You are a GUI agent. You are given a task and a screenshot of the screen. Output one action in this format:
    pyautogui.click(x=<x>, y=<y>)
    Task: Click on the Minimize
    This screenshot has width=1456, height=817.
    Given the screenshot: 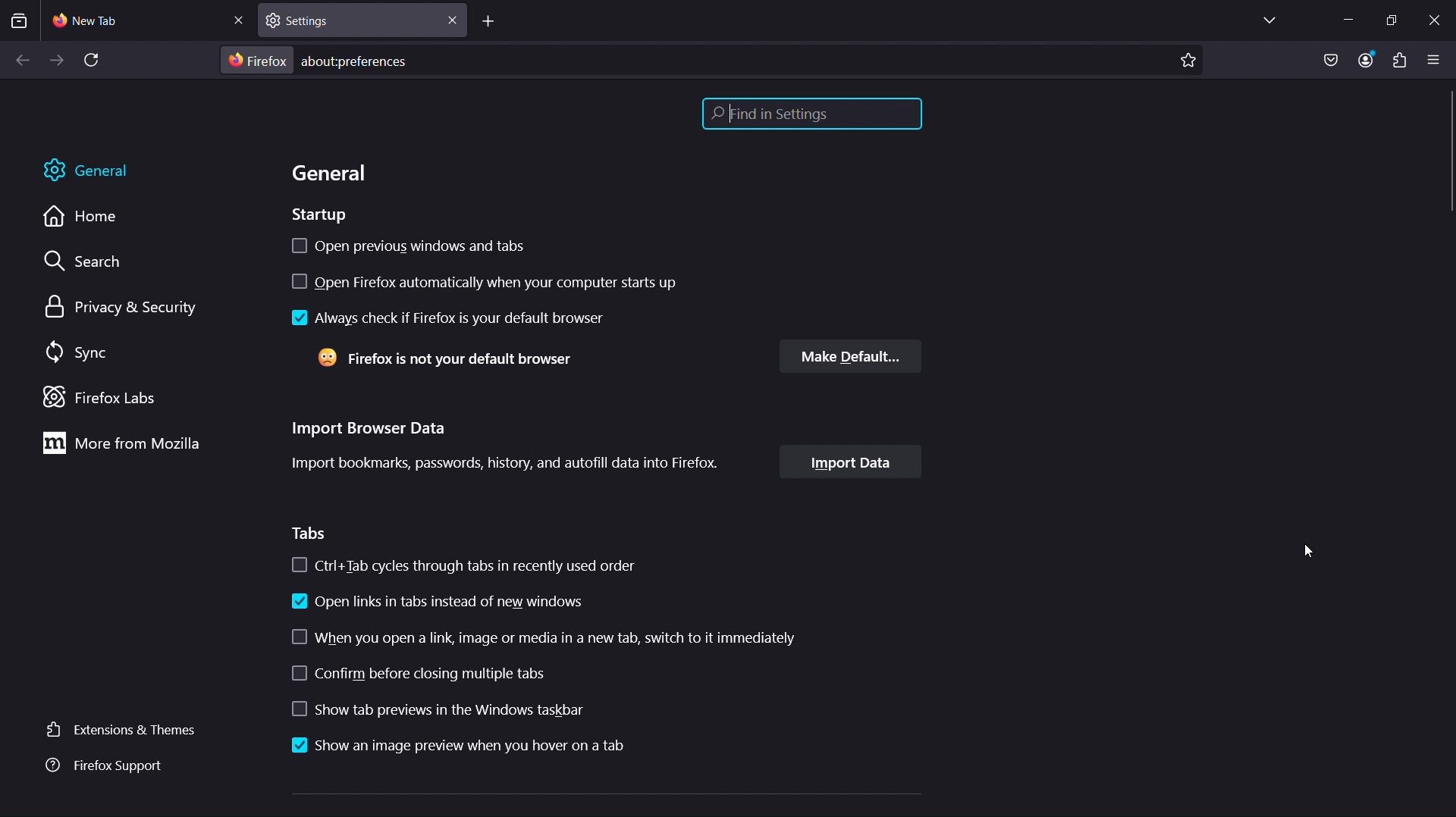 What is the action you would take?
    pyautogui.click(x=1345, y=20)
    